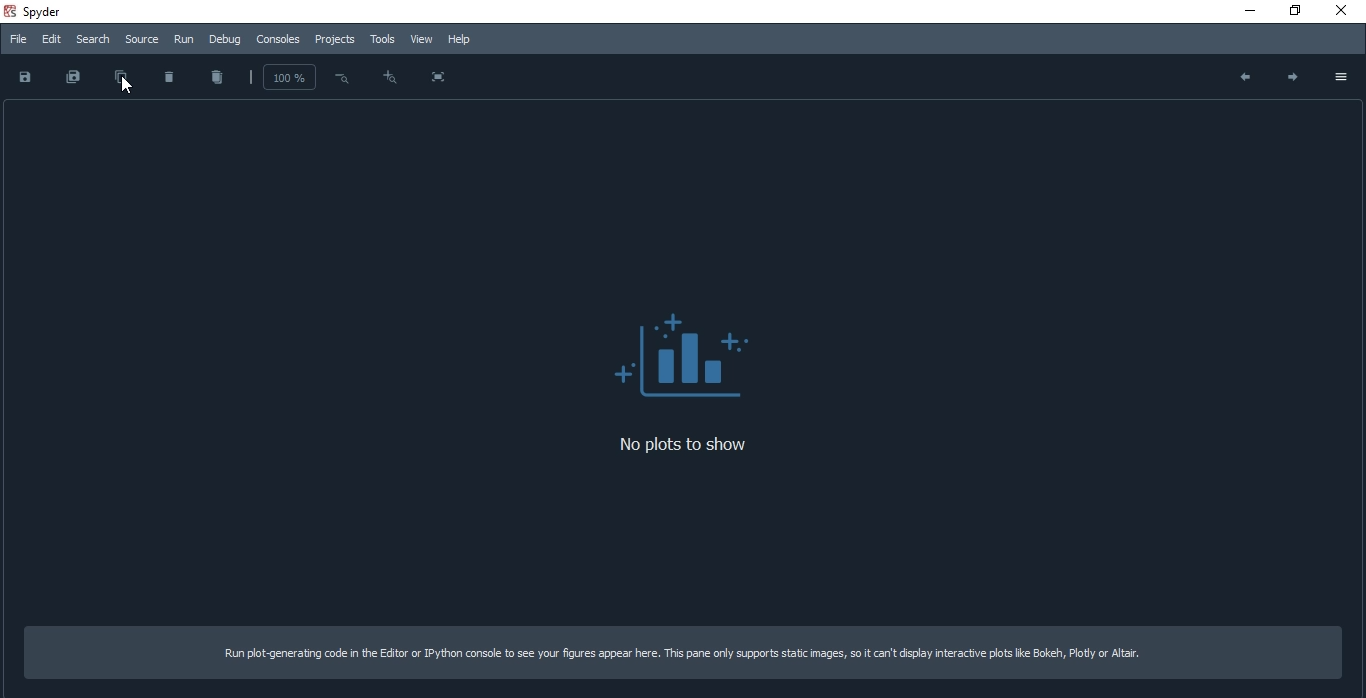  What do you see at coordinates (1251, 10) in the screenshot?
I see `minimise` at bounding box center [1251, 10].